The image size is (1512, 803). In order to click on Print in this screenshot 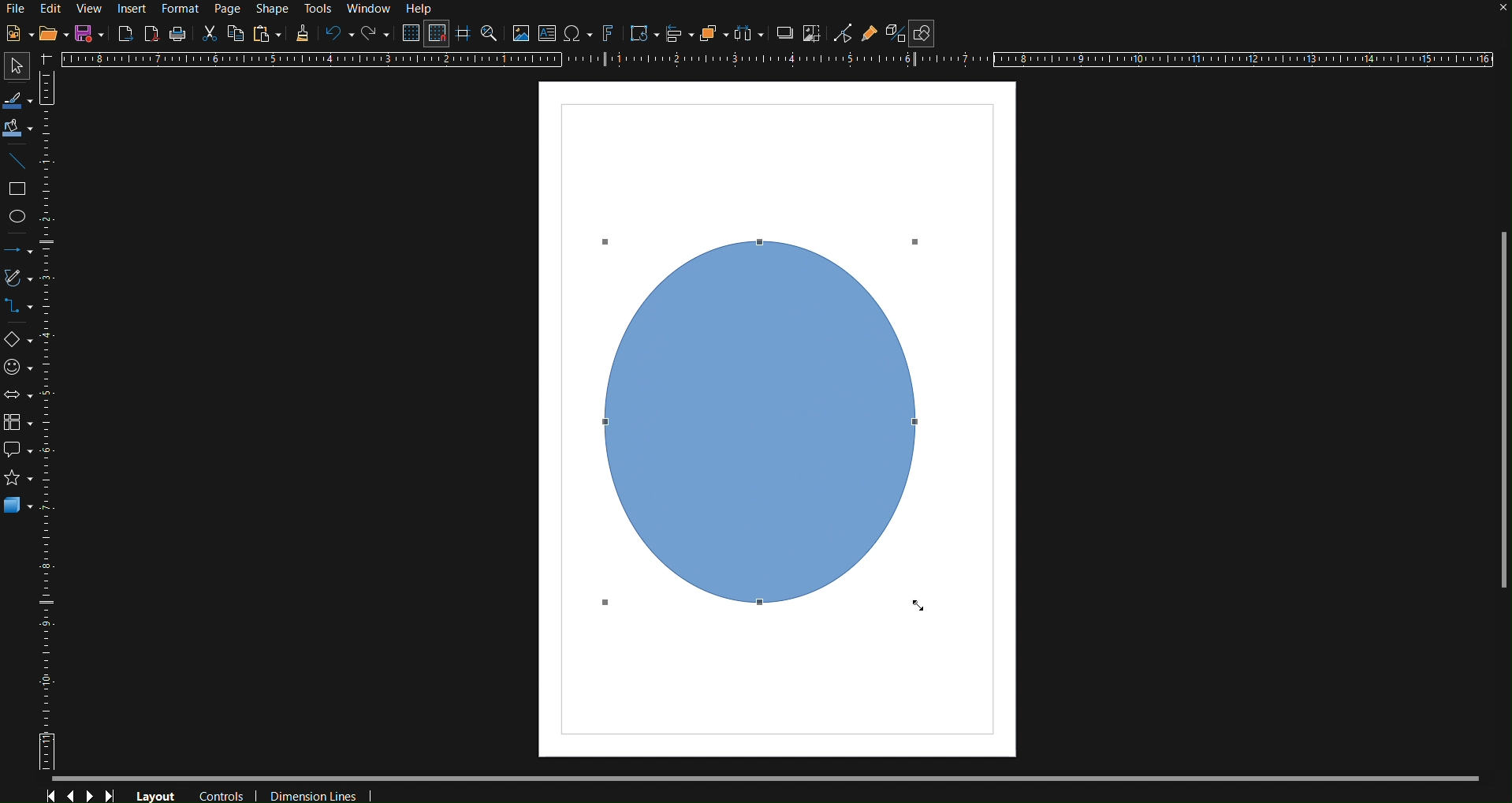, I will do `click(178, 34)`.